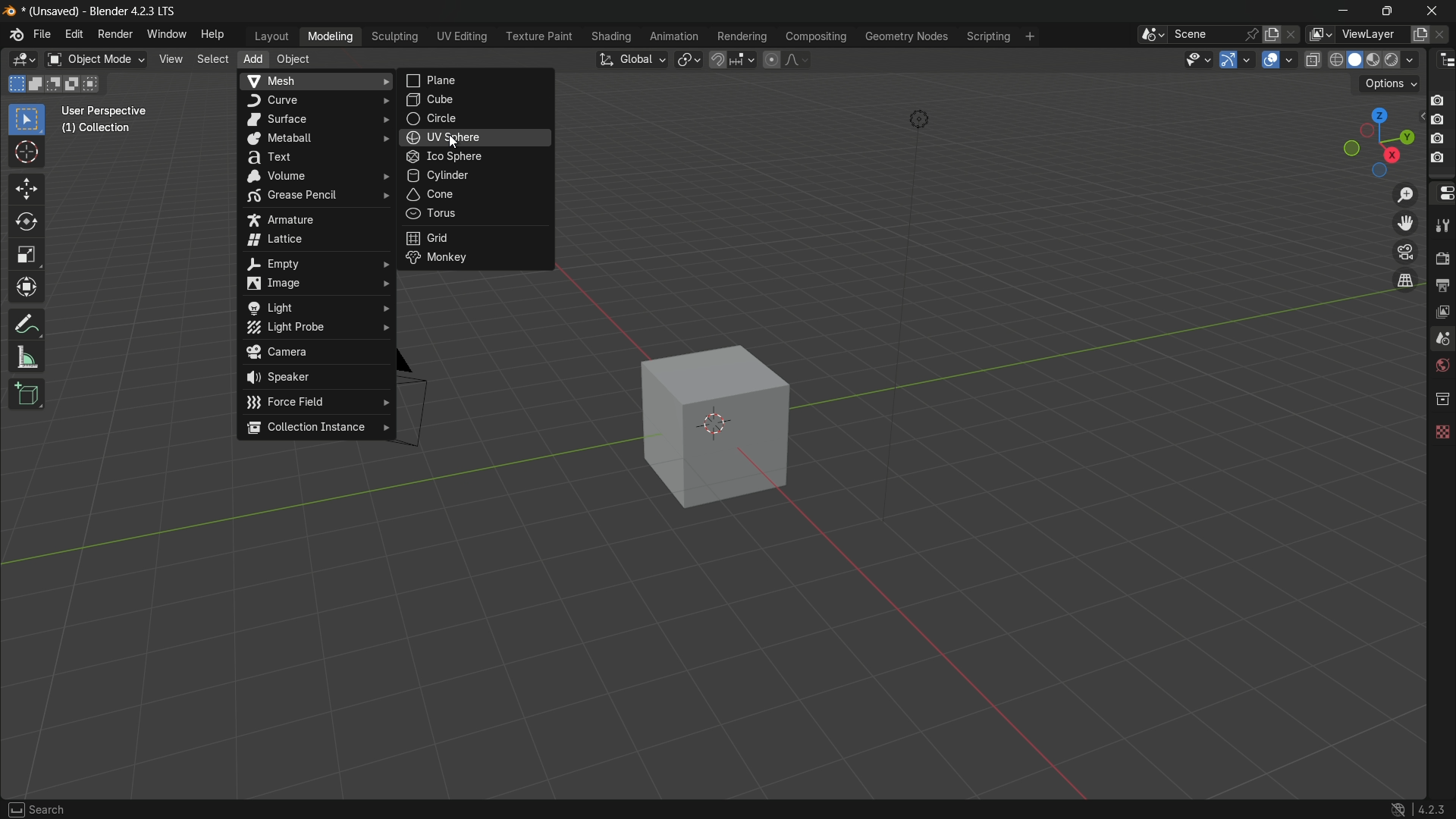  I want to click on User Perspective (1) Collection, so click(111, 119).